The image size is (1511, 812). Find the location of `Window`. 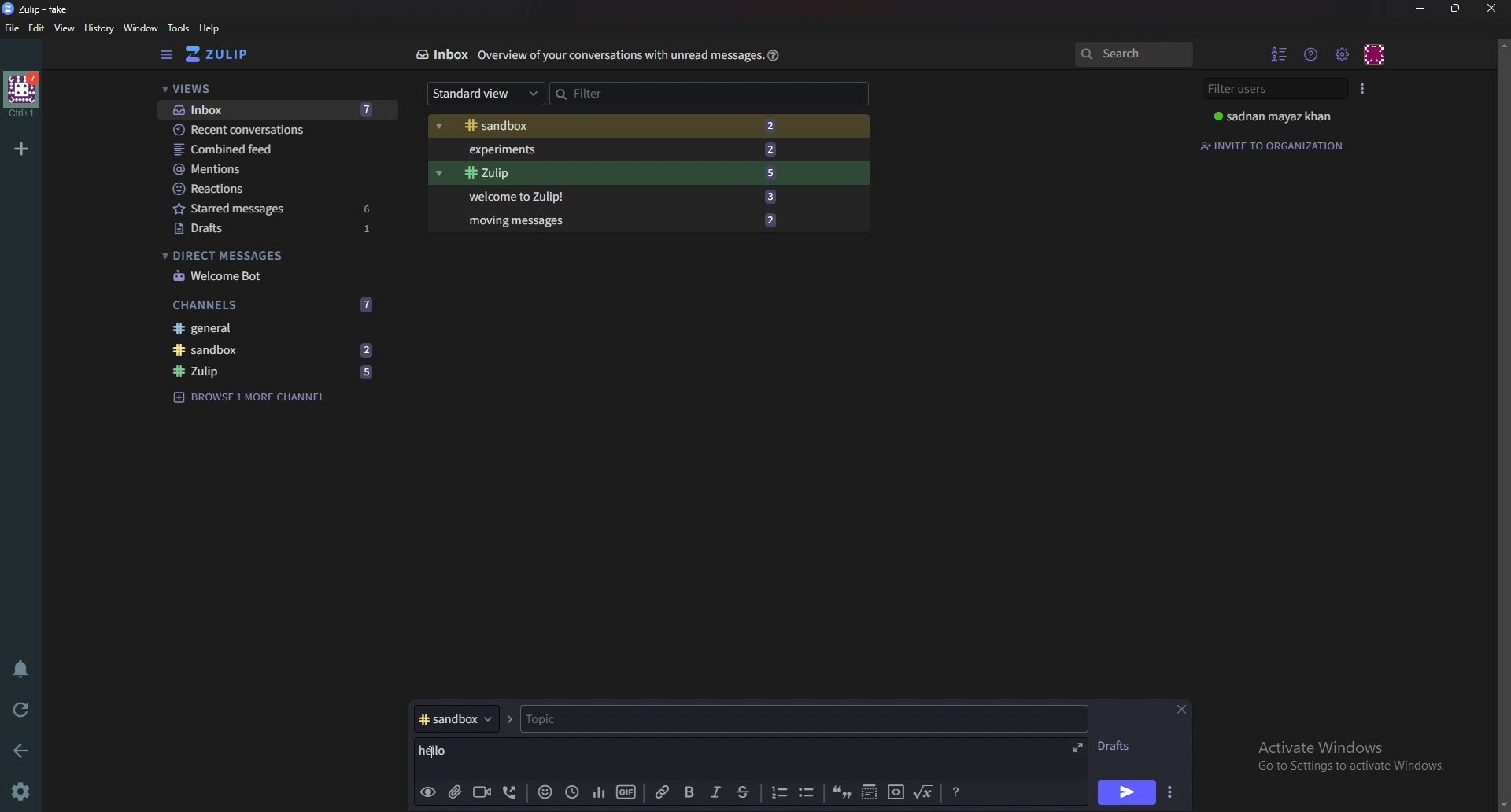

Window is located at coordinates (142, 28).